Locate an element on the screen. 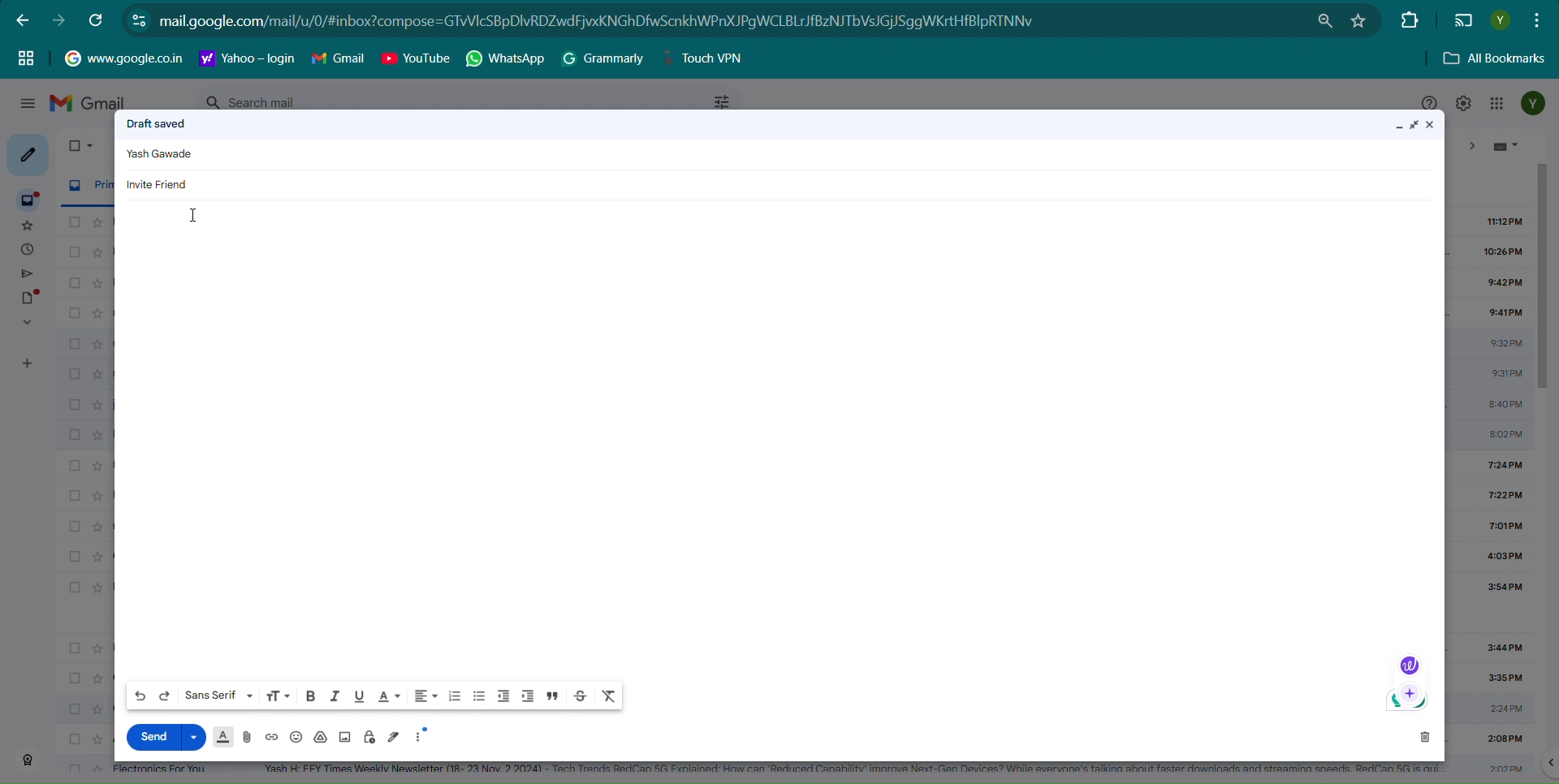  Hyperlink is located at coordinates (123, 57).